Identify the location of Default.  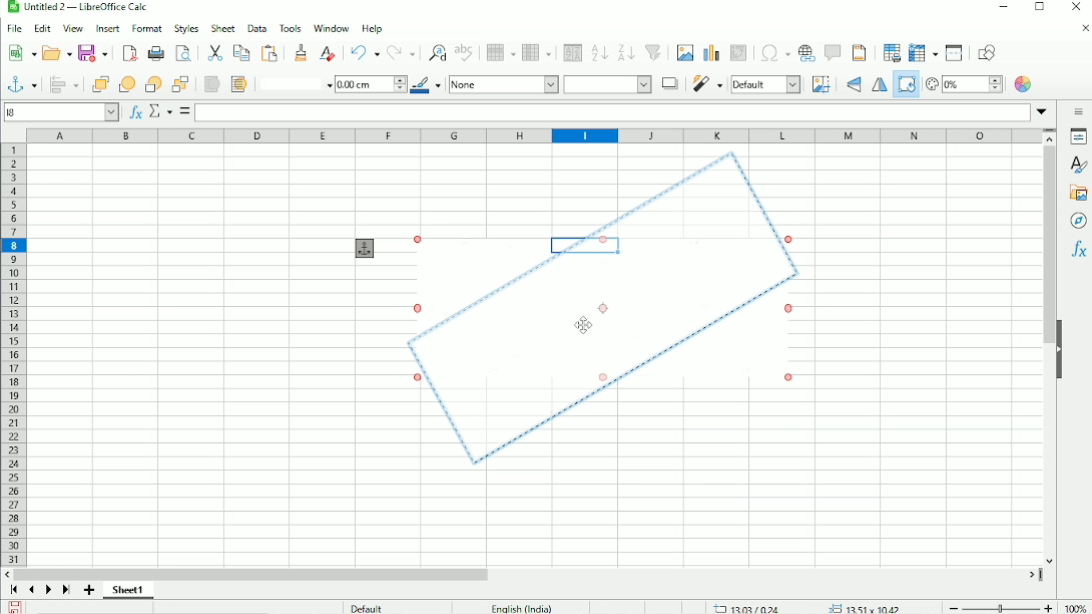
(767, 85).